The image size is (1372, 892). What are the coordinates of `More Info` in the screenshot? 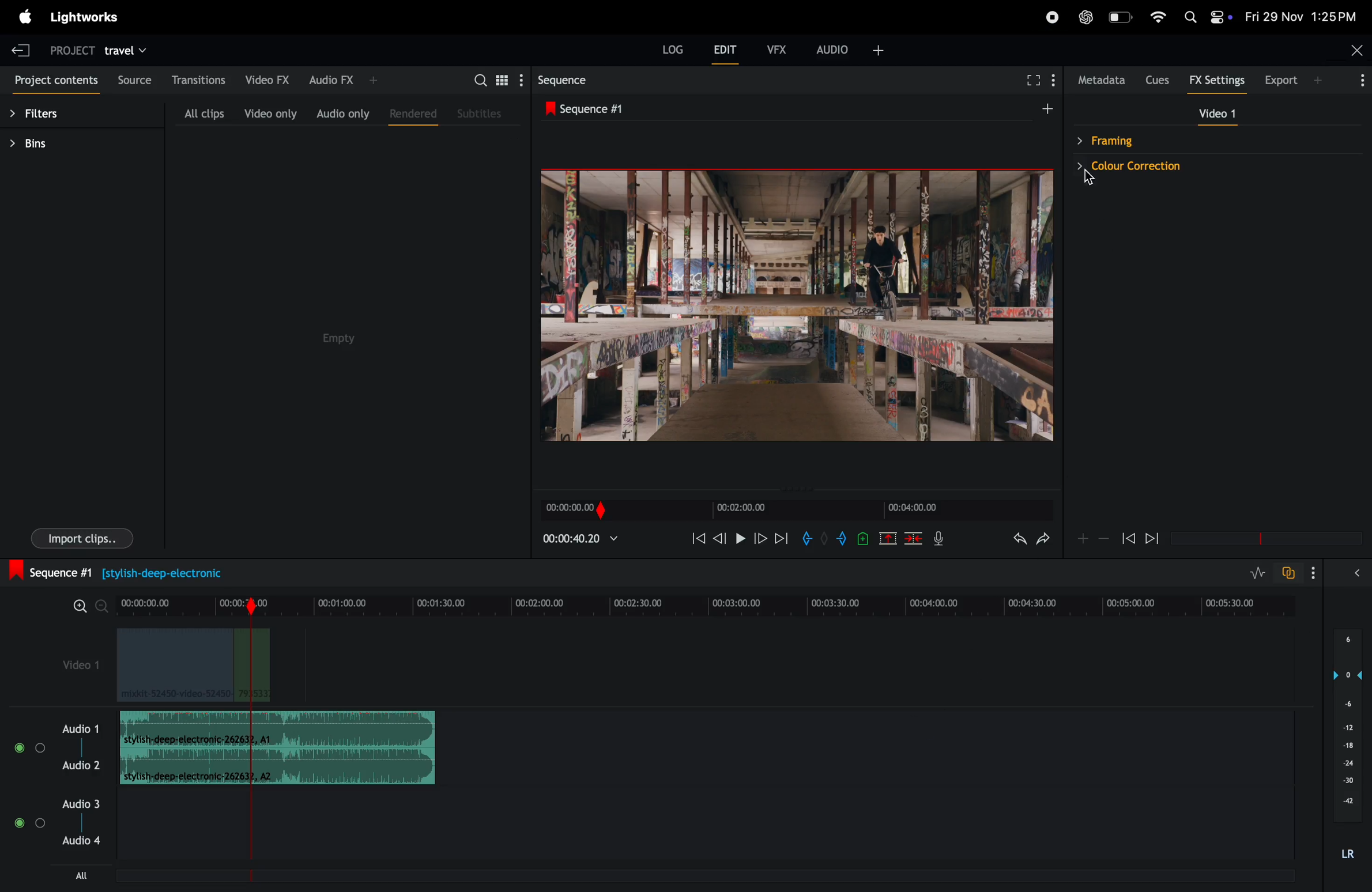 It's located at (1363, 84).